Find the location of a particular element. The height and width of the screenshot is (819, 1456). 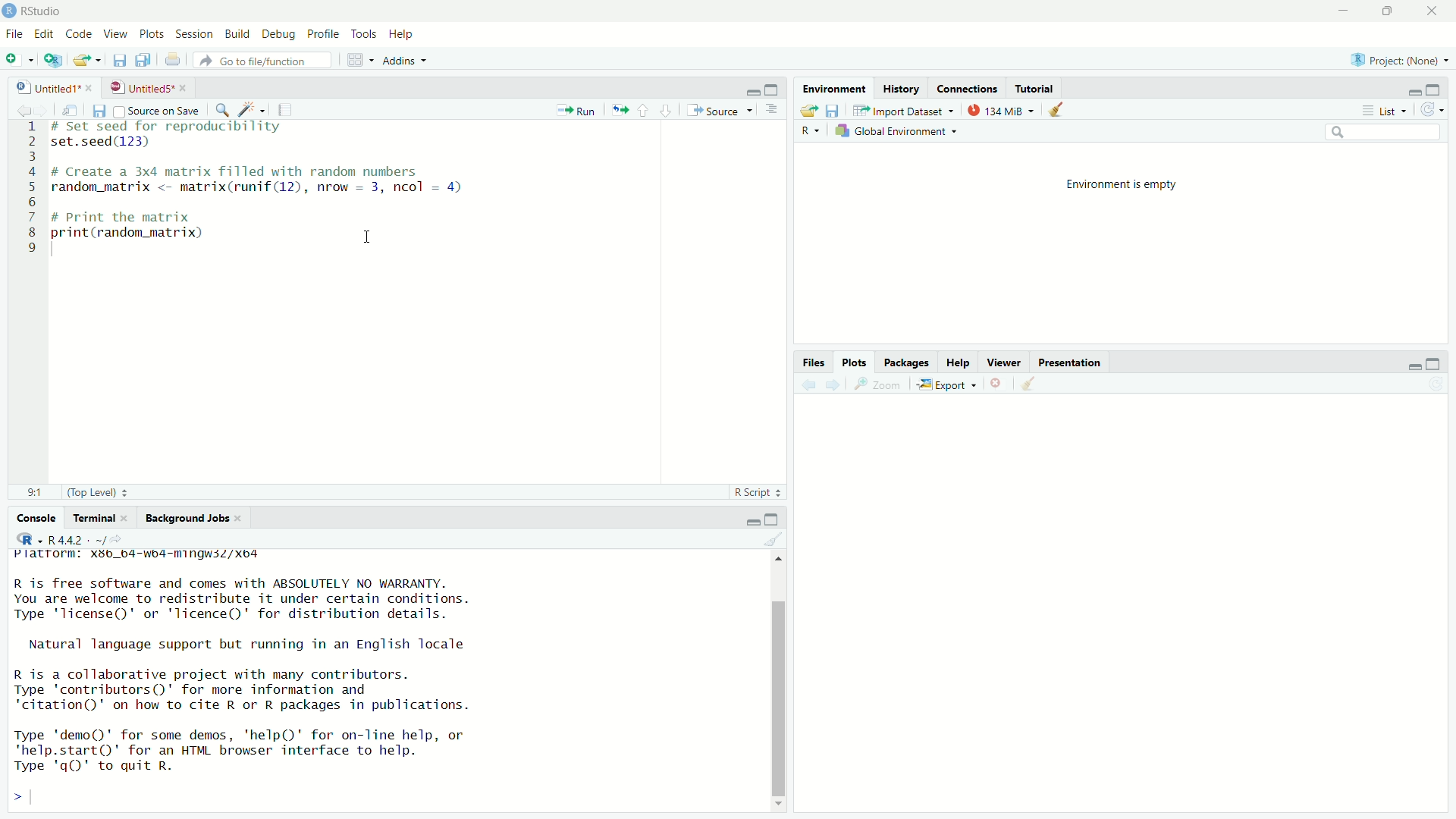

add is located at coordinates (15, 60).